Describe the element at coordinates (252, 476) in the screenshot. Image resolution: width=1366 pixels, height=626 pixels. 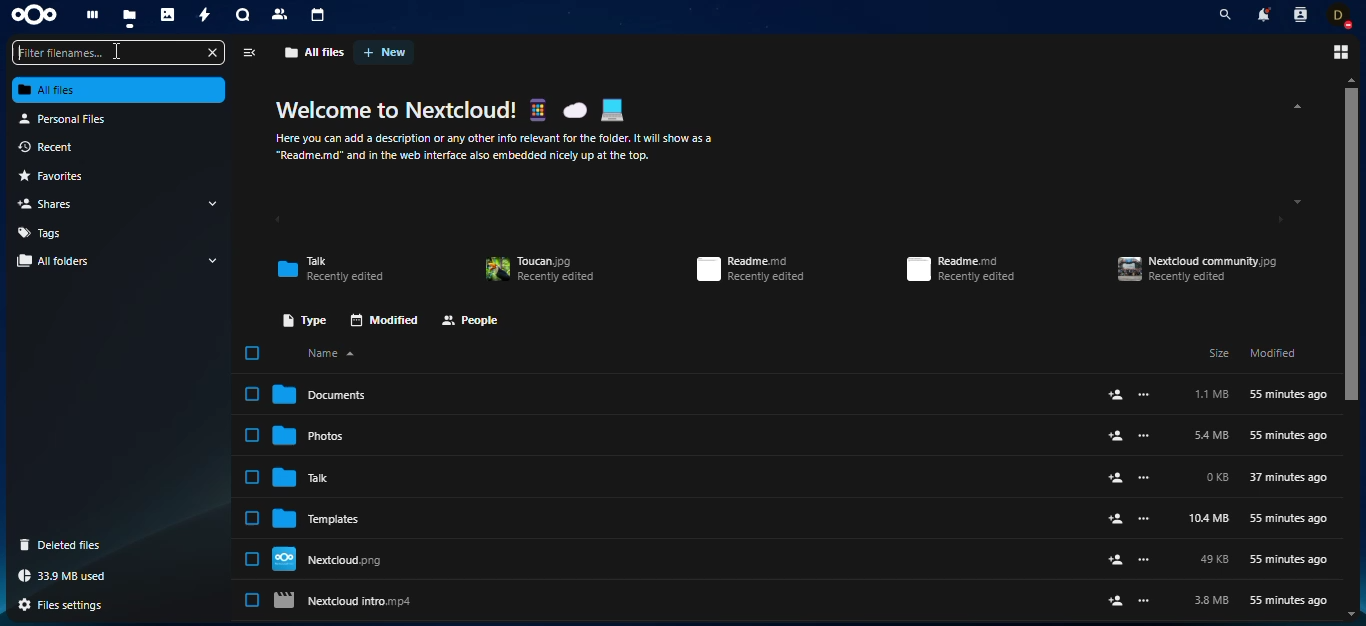
I see `Click to select` at that location.